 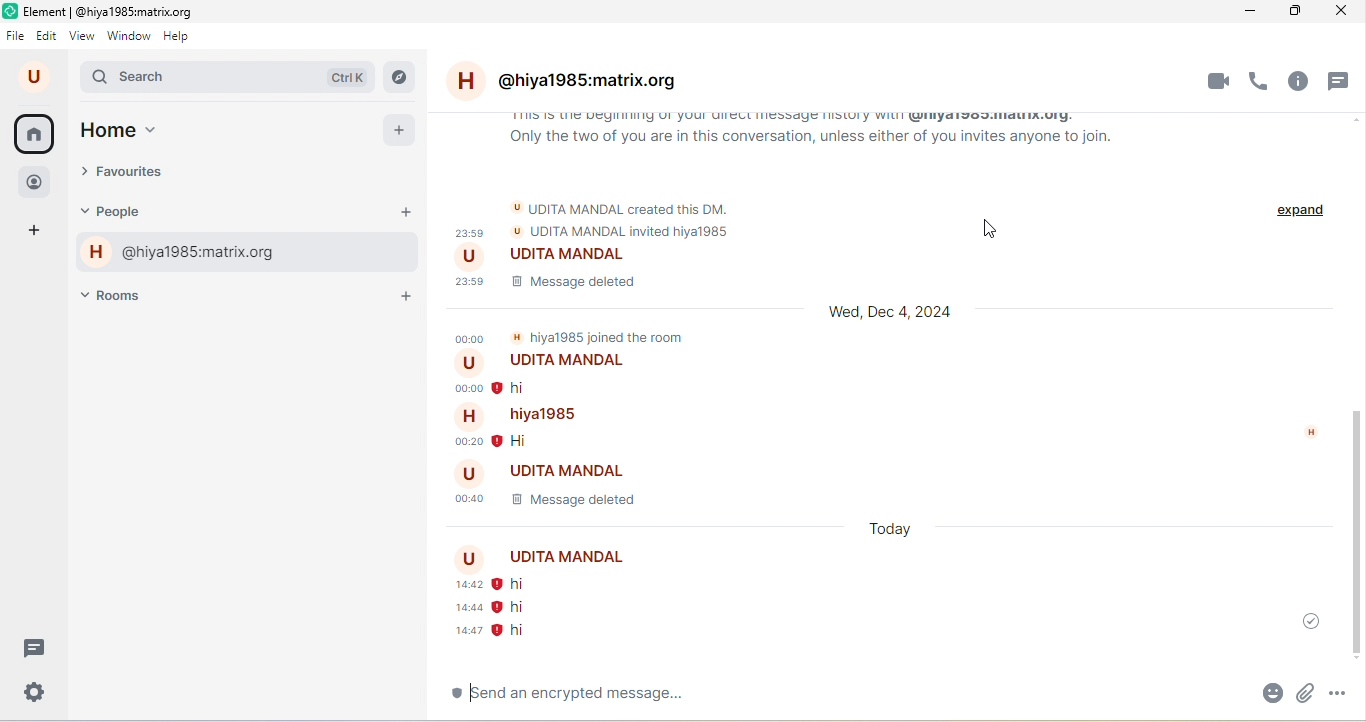 What do you see at coordinates (142, 132) in the screenshot?
I see `home` at bounding box center [142, 132].